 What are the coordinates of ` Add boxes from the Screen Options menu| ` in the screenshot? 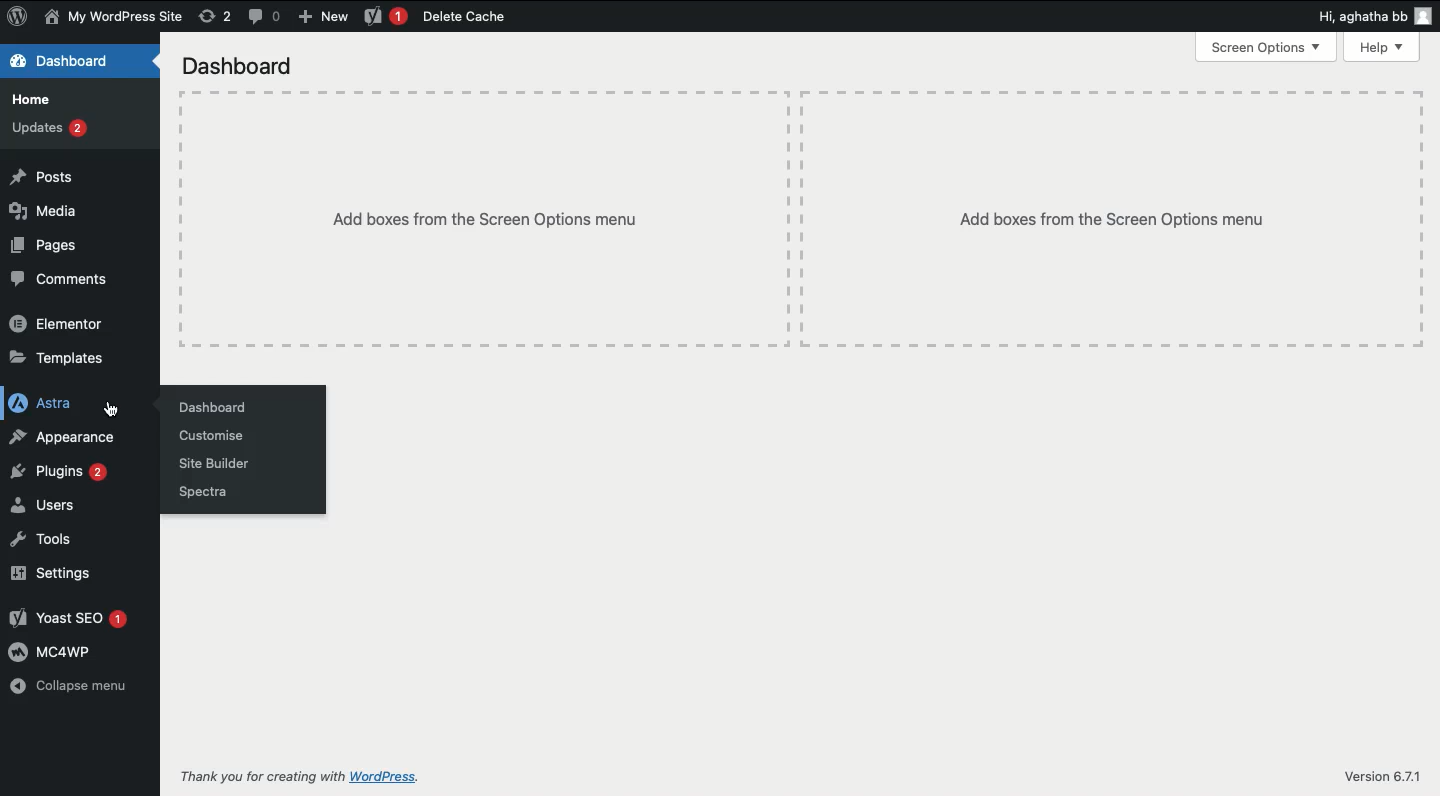 It's located at (1111, 219).